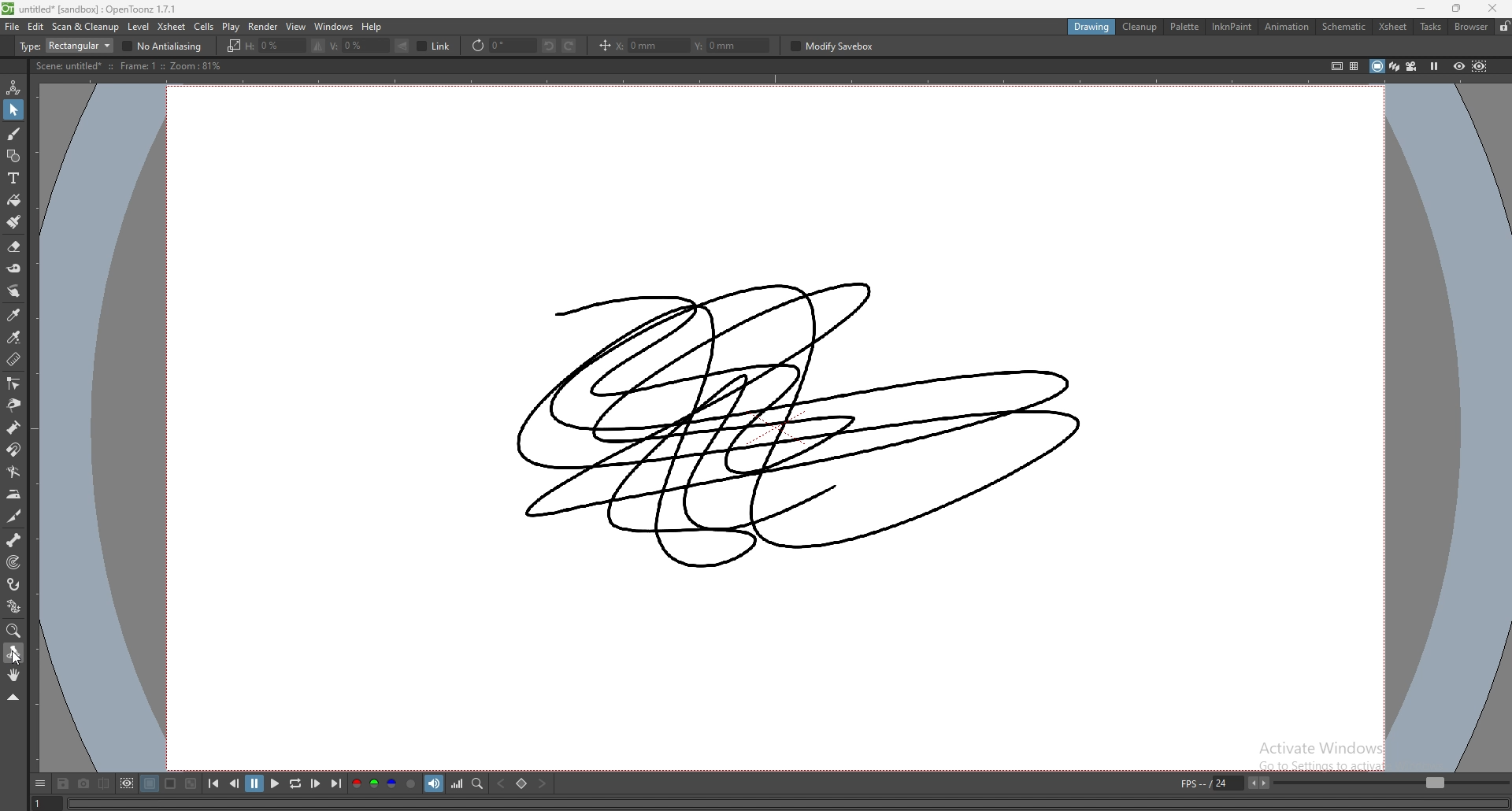  Describe the element at coordinates (39, 784) in the screenshot. I see `options` at that location.